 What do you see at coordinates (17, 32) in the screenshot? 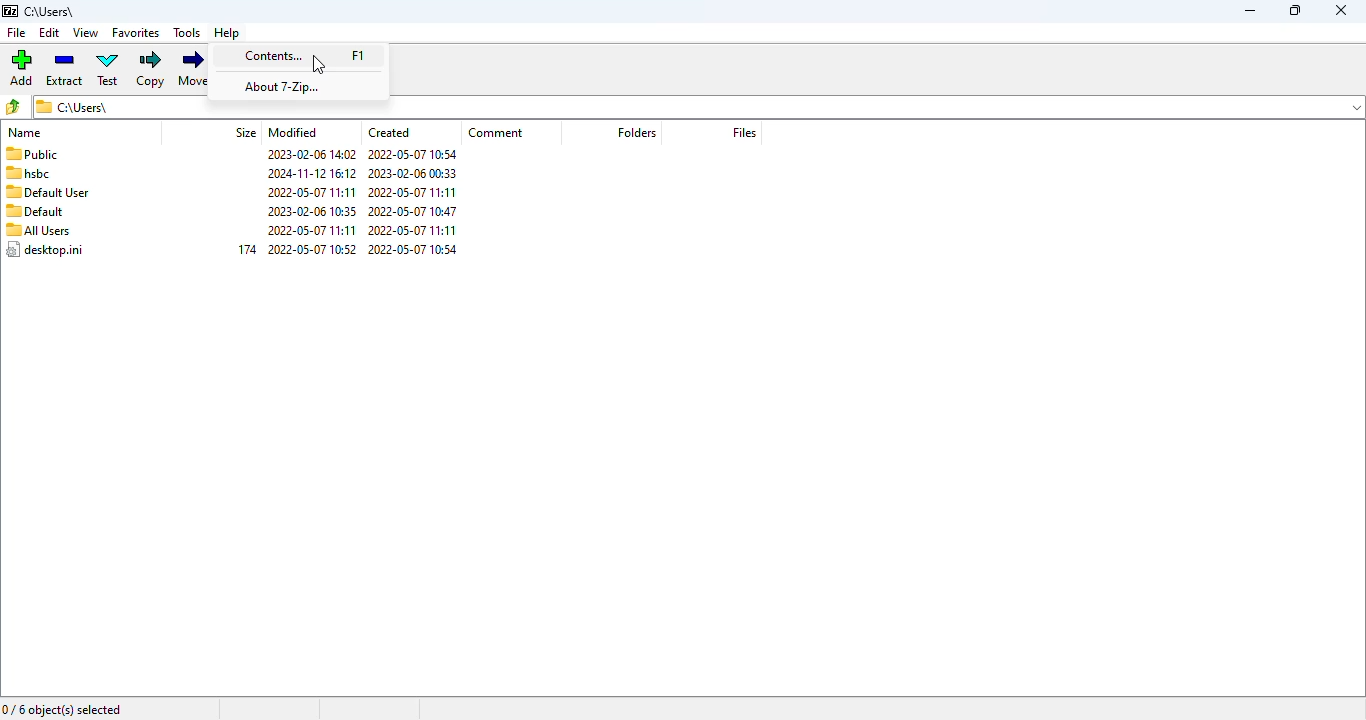
I see `file` at bounding box center [17, 32].